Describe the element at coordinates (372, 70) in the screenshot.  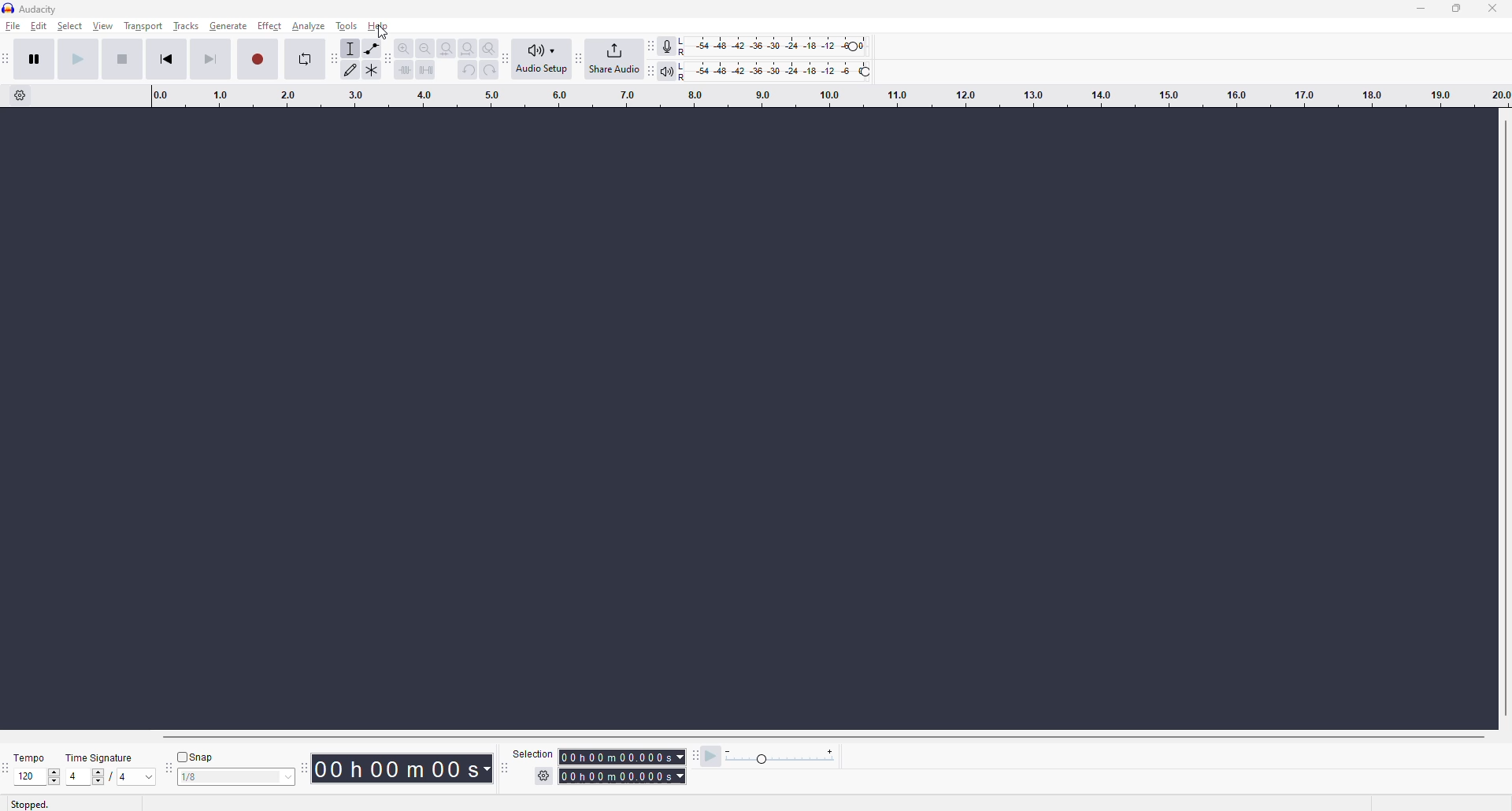
I see `multi tool` at that location.